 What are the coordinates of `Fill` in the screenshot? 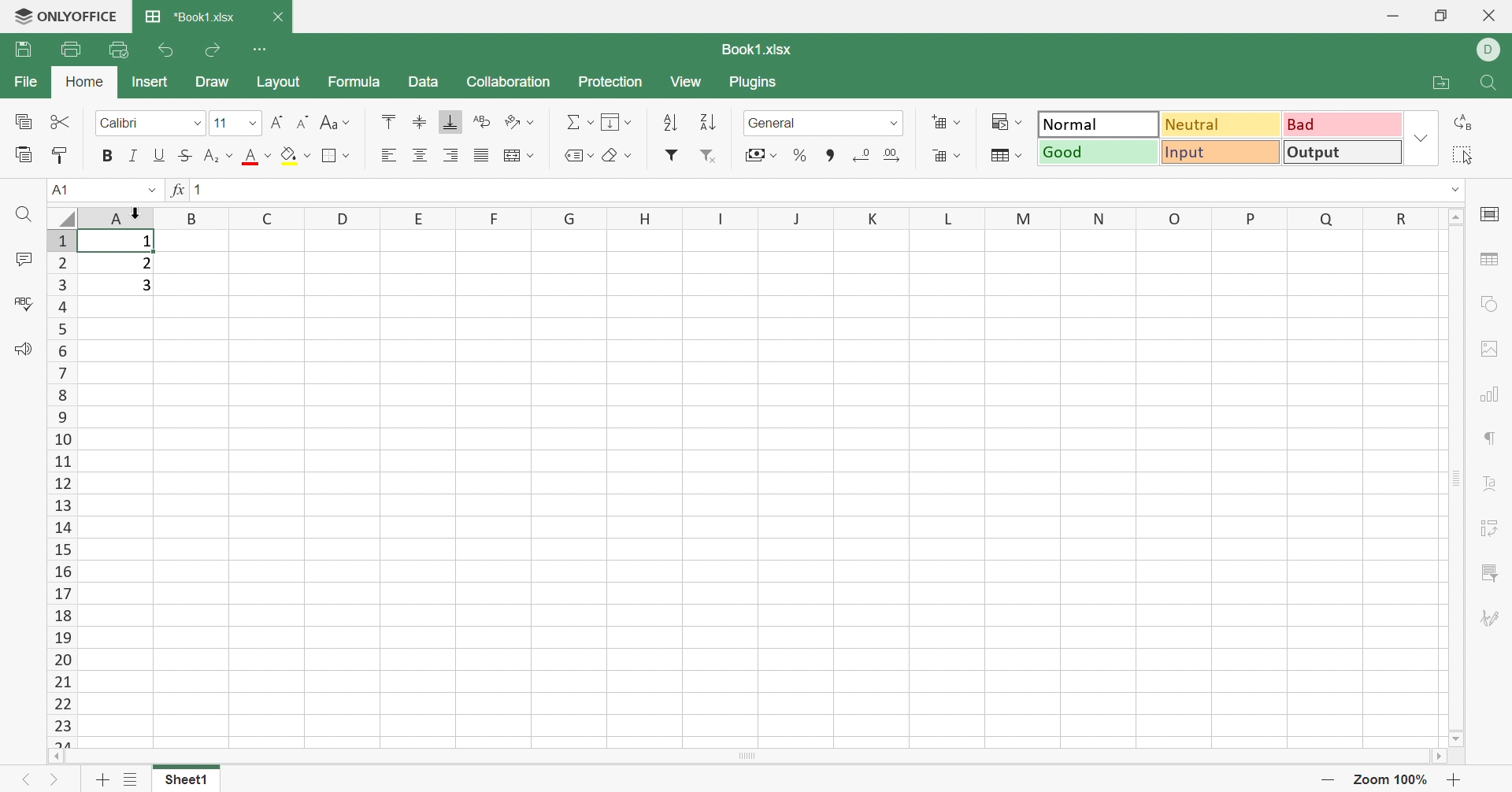 It's located at (615, 121).